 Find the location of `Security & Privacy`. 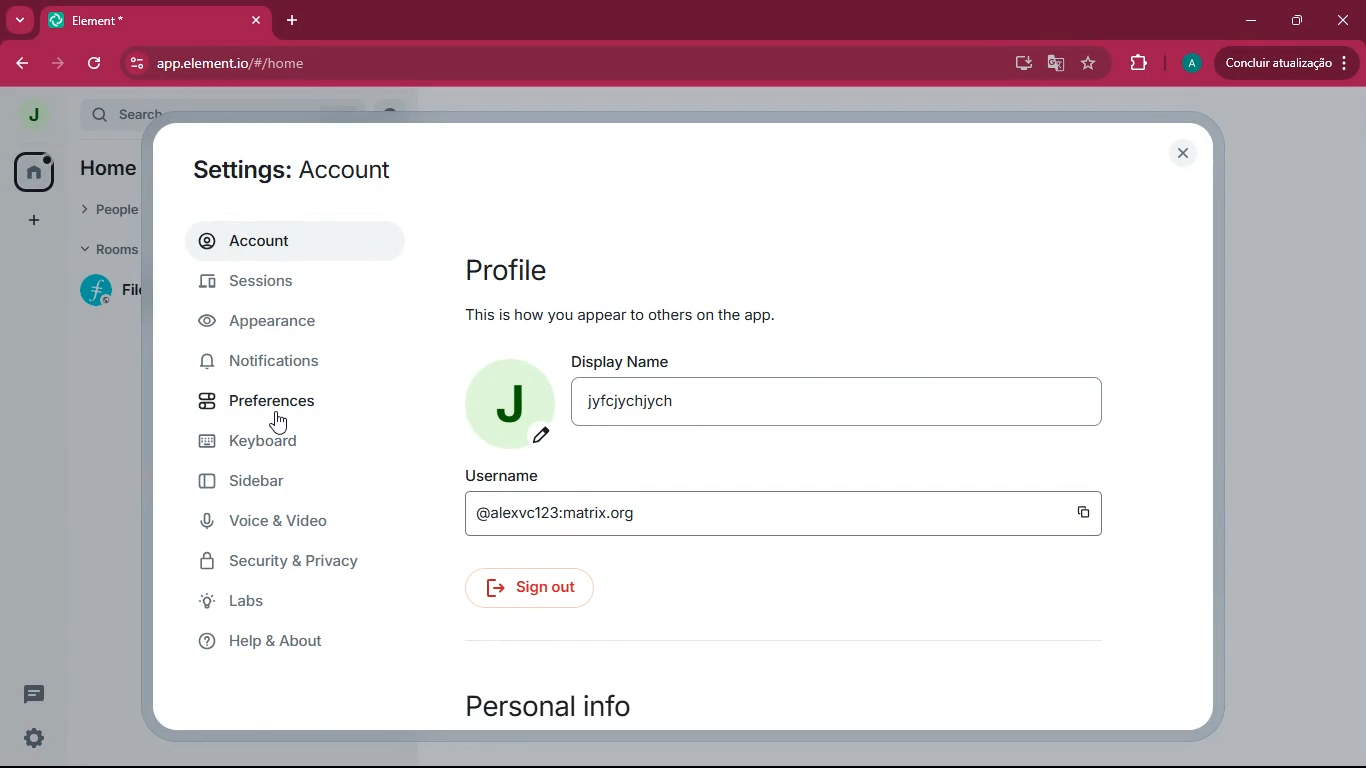

Security & Privacy is located at coordinates (290, 564).